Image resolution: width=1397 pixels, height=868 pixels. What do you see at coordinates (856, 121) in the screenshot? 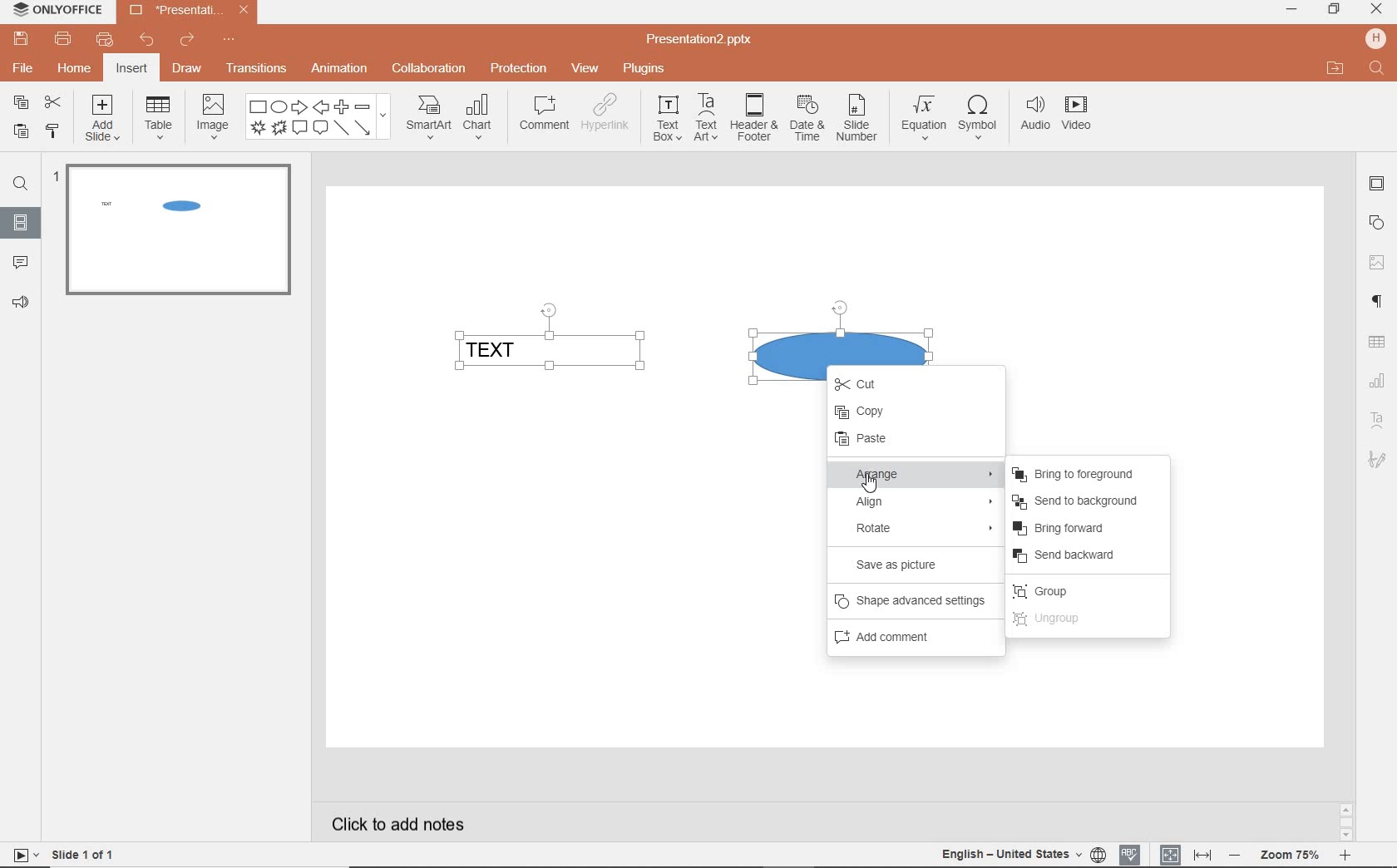
I see `slide number` at bounding box center [856, 121].